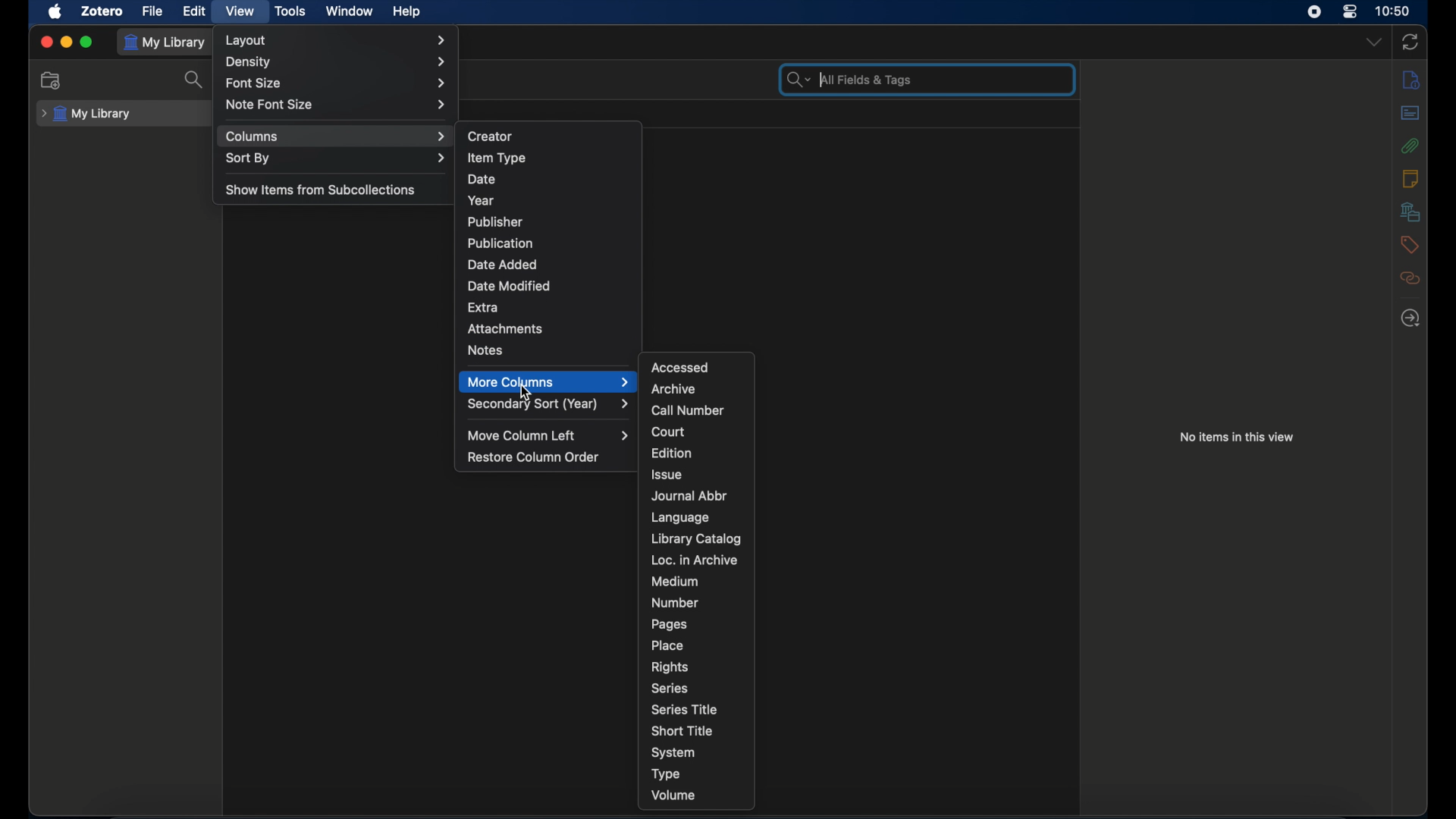  What do you see at coordinates (152, 11) in the screenshot?
I see `file` at bounding box center [152, 11].